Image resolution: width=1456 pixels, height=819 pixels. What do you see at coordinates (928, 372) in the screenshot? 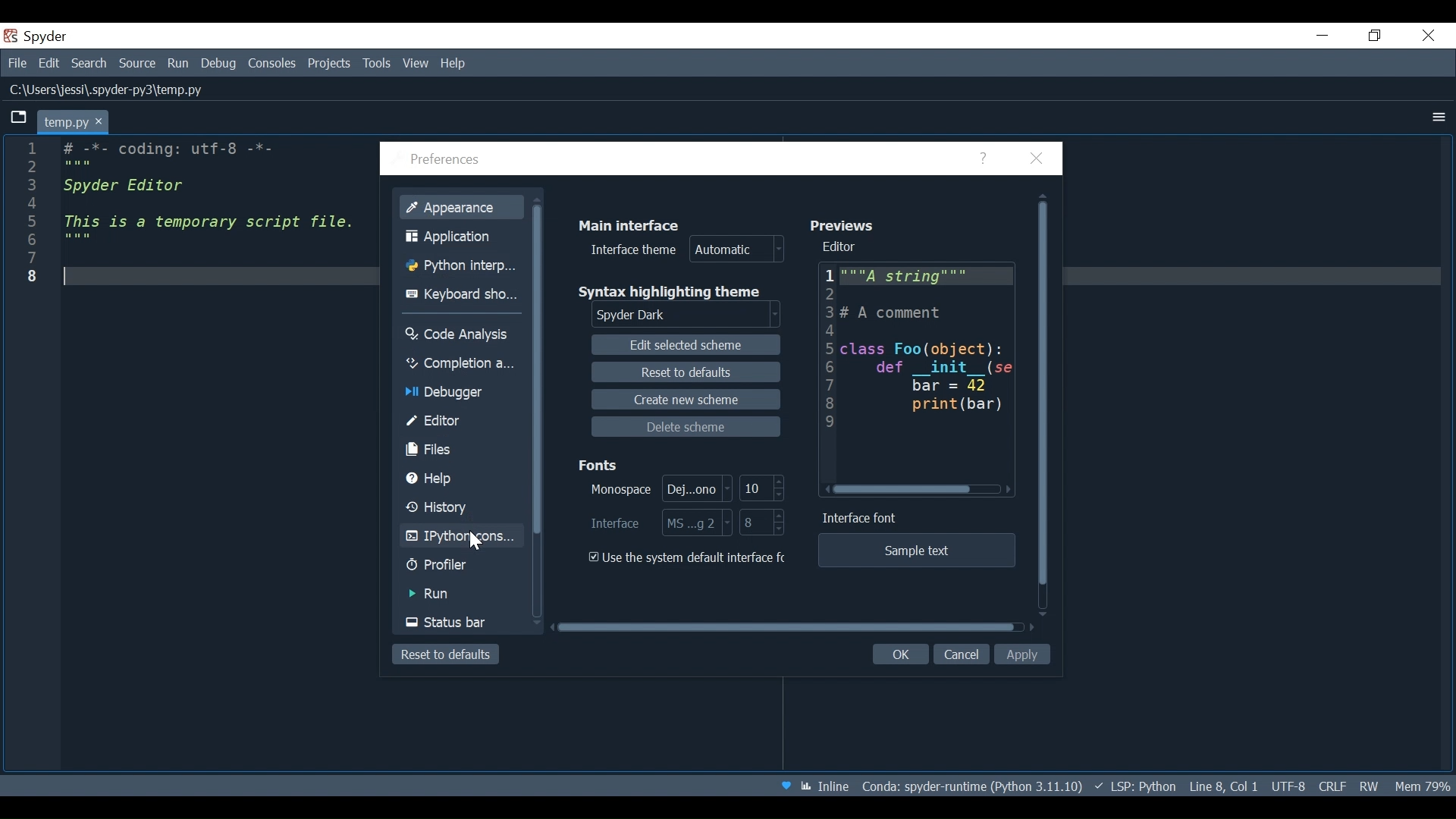
I see `Editor Preview` at bounding box center [928, 372].